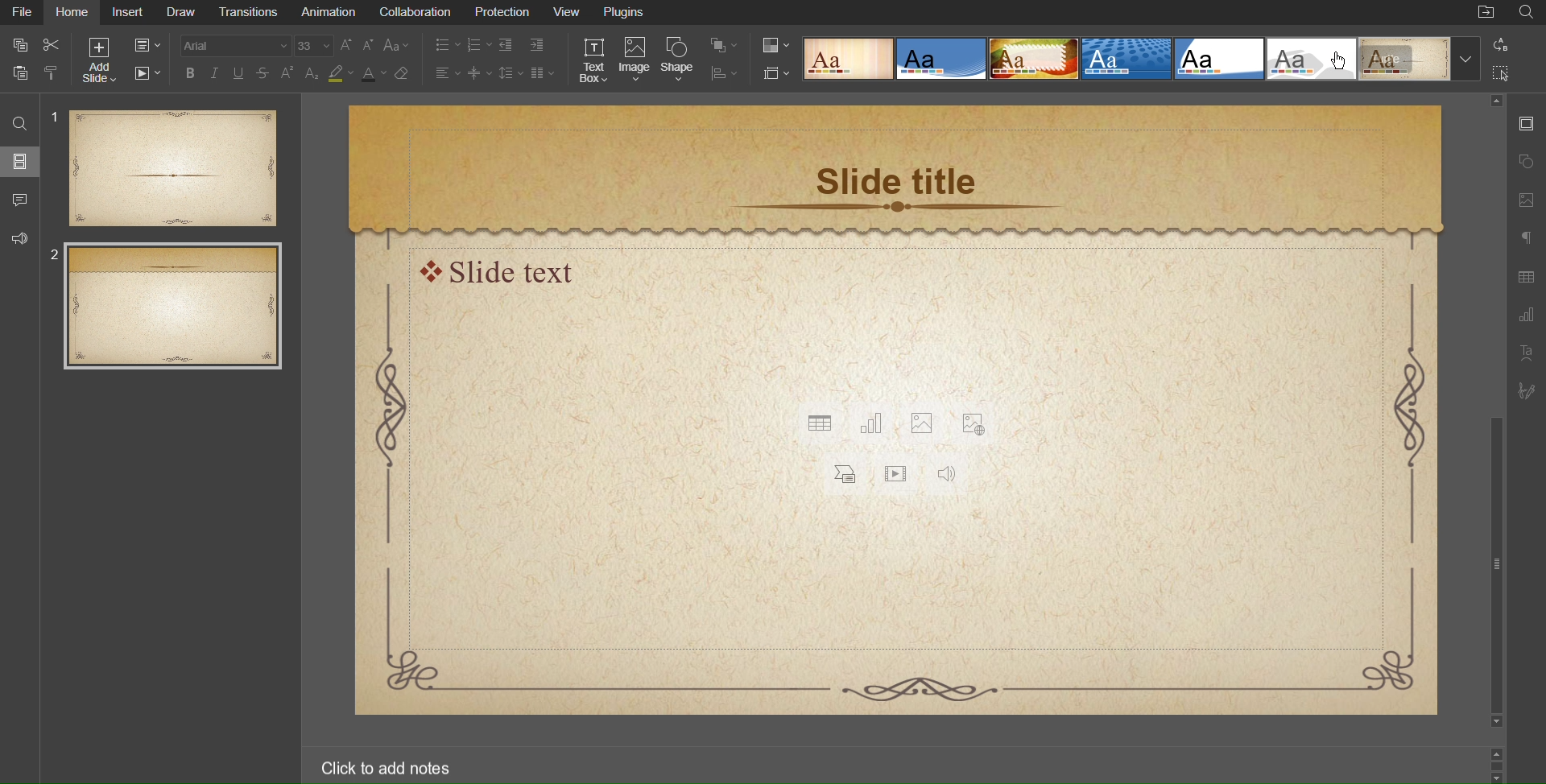  Describe the element at coordinates (19, 235) in the screenshot. I see `Feedback and Support` at that location.